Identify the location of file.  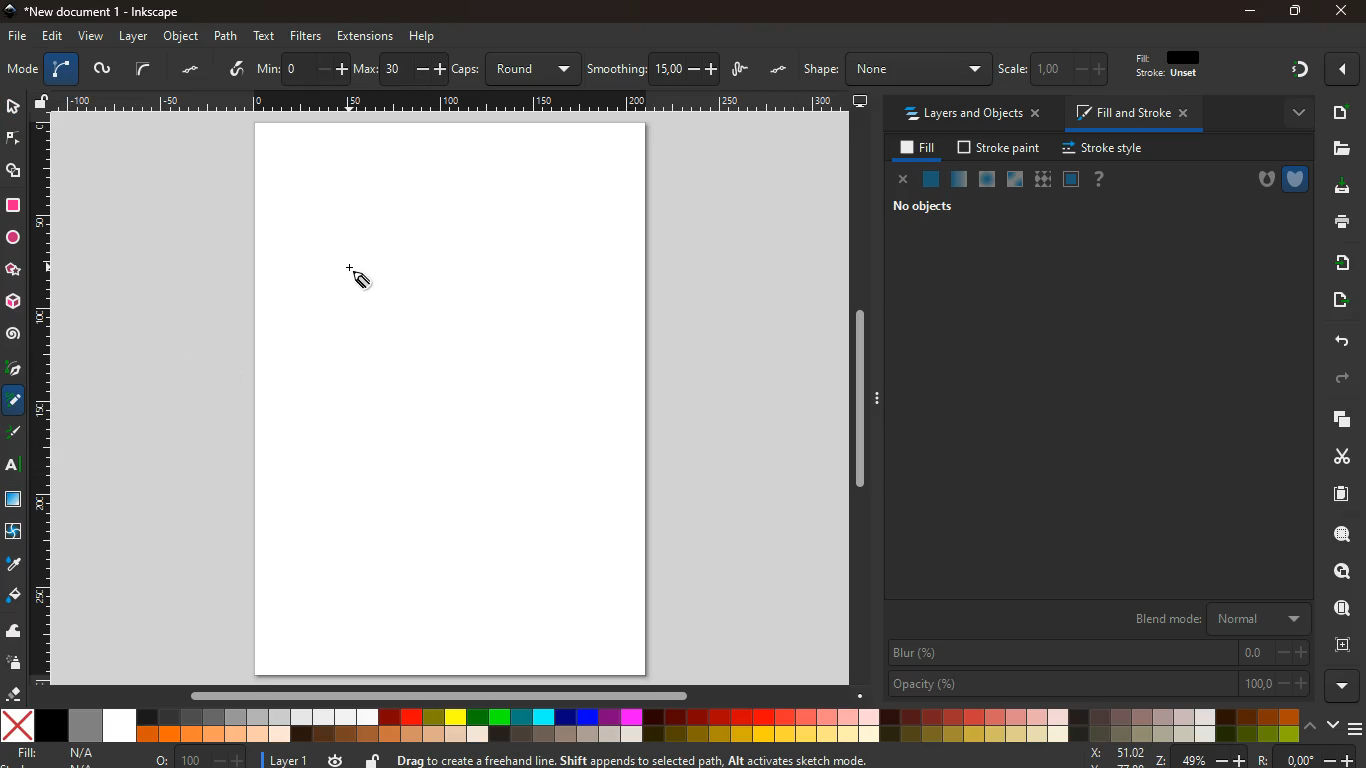
(16, 37).